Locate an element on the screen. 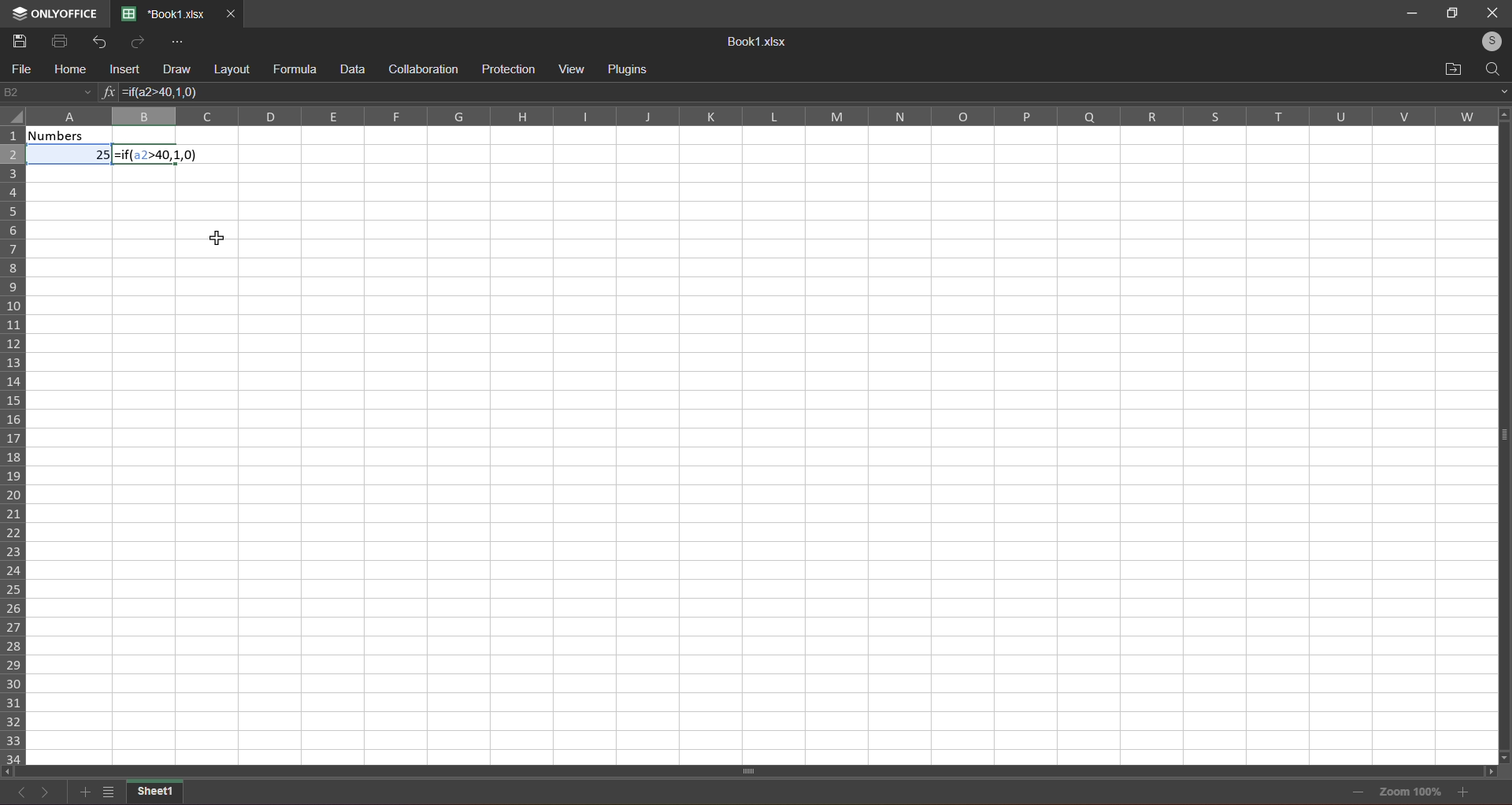 Image resolution: width=1512 pixels, height=805 pixels. draw is located at coordinates (173, 68).